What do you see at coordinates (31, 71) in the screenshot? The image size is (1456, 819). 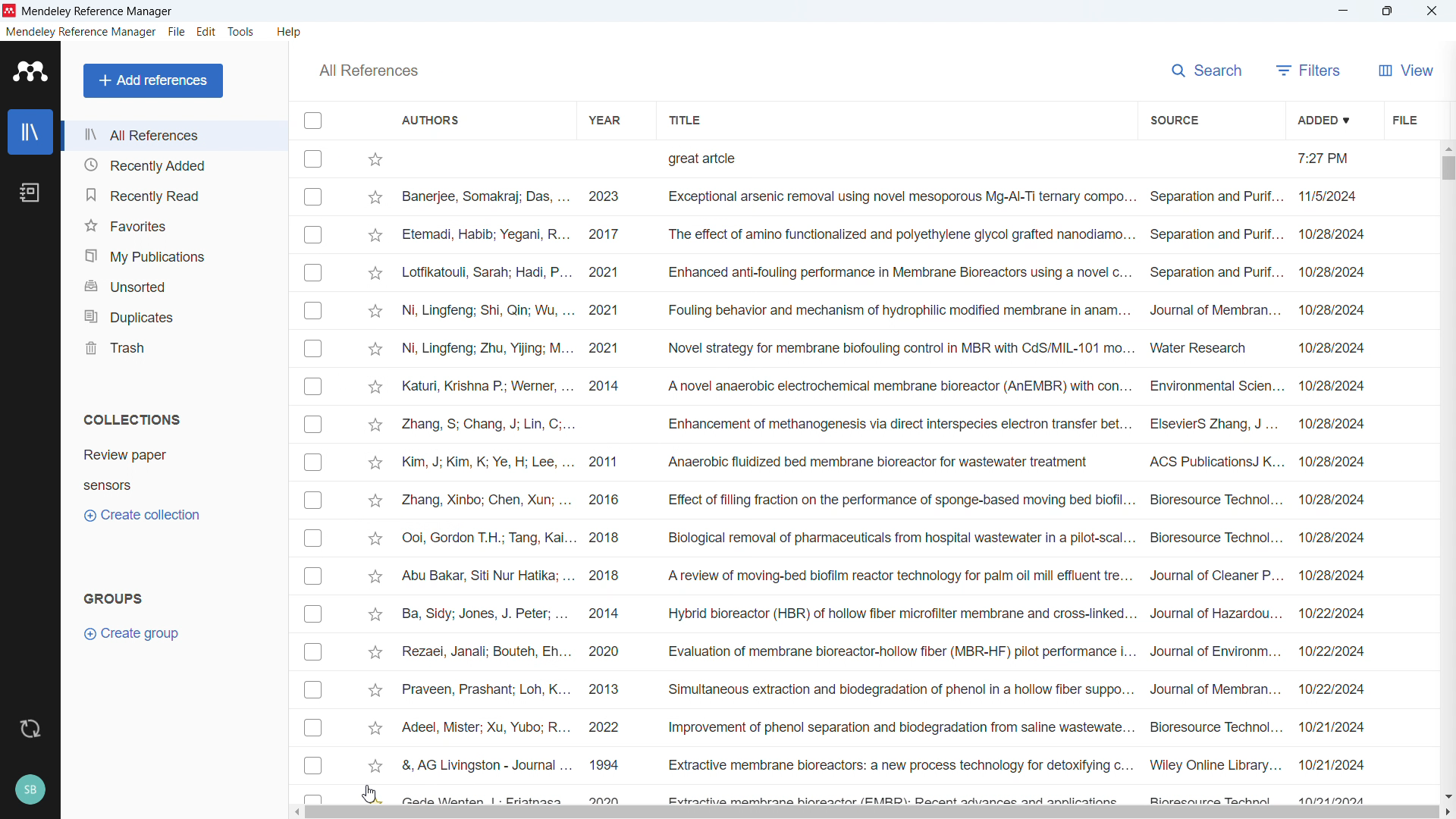 I see `Logo ` at bounding box center [31, 71].